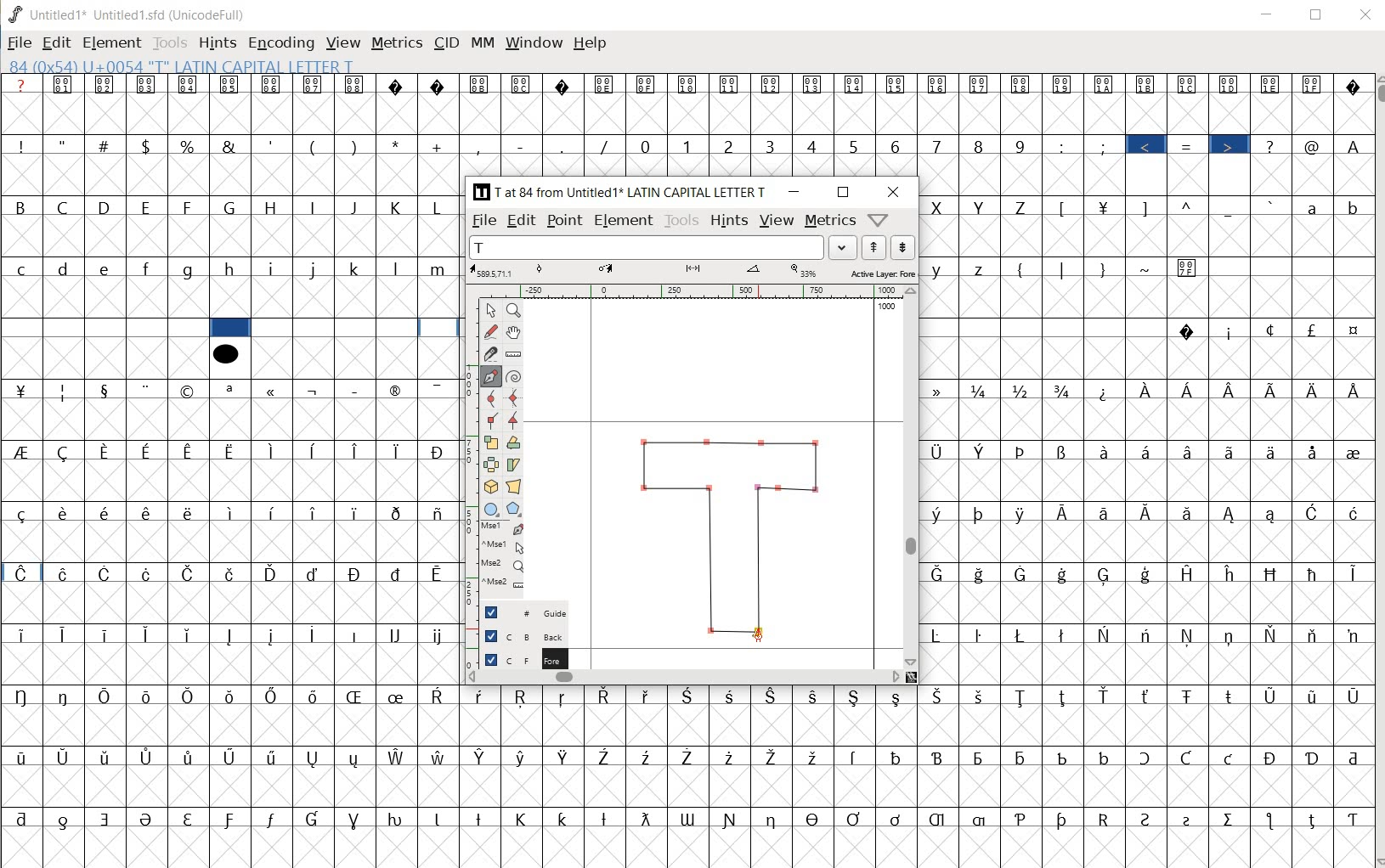 This screenshot has width=1385, height=868. What do you see at coordinates (189, 817) in the screenshot?
I see `Symbol` at bounding box center [189, 817].